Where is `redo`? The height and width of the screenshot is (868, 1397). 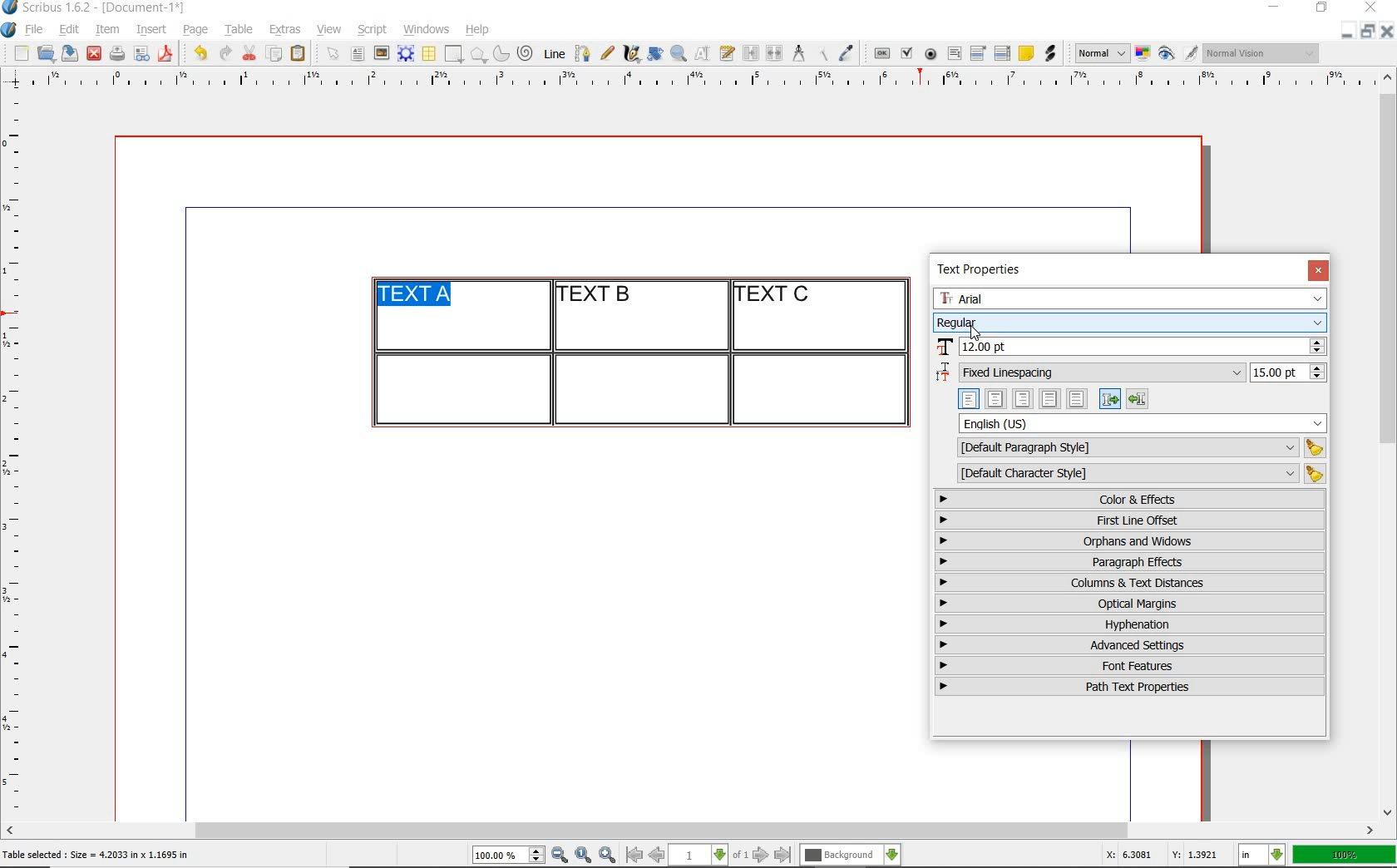 redo is located at coordinates (224, 52).